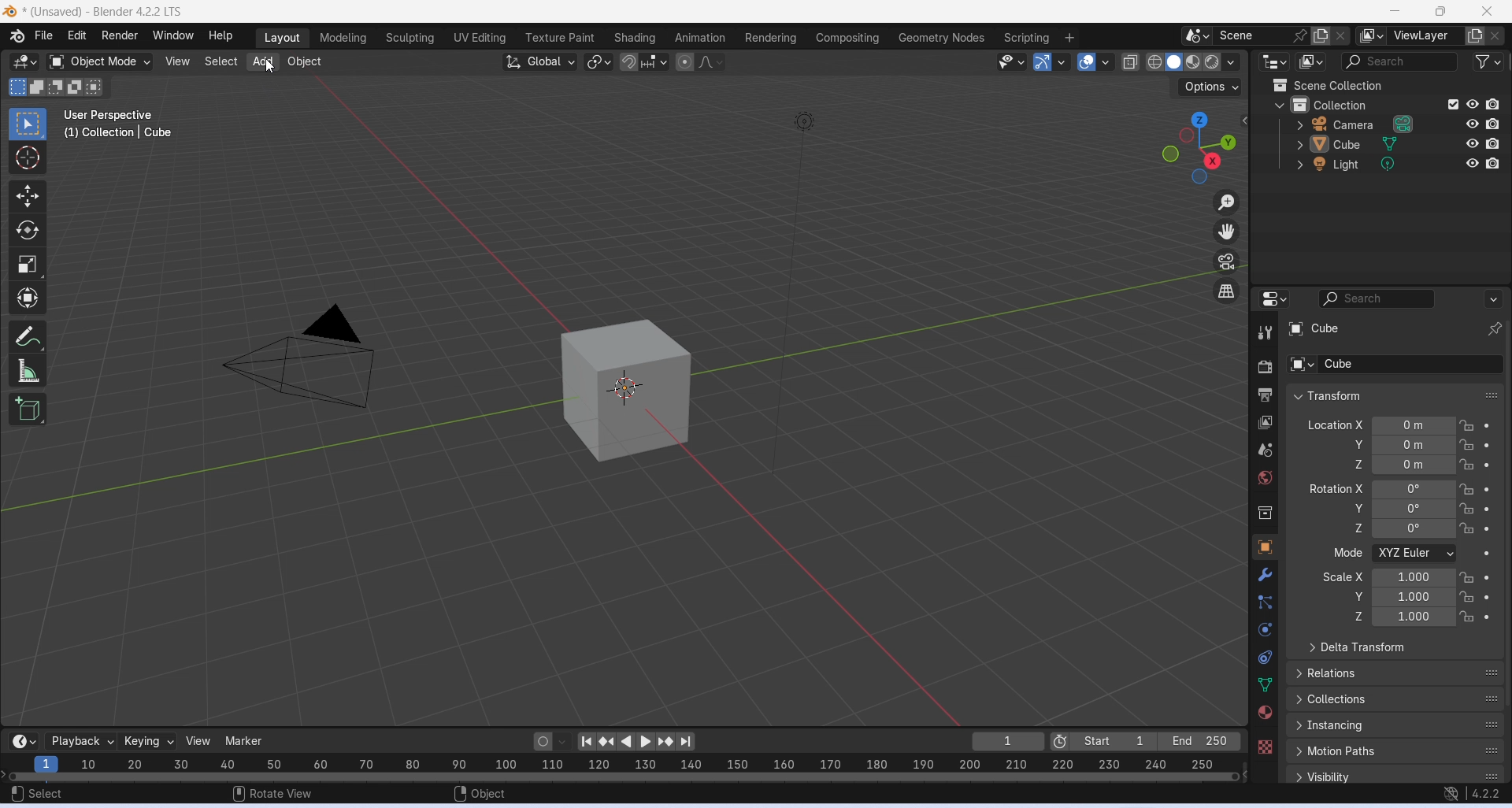 This screenshot has height=808, width=1512. I want to click on scale, so click(1414, 576).